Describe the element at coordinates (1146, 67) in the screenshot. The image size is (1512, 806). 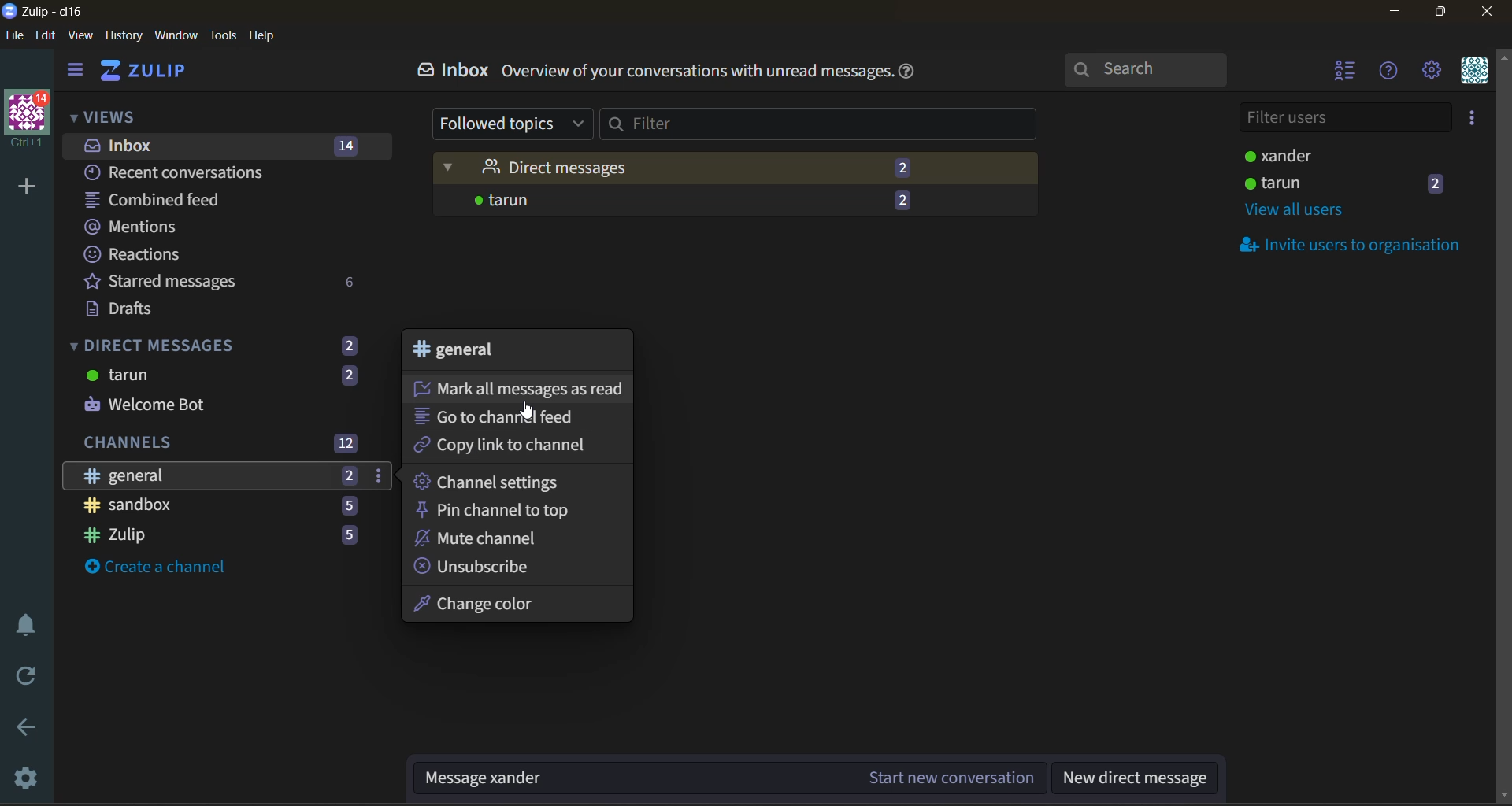
I see `search` at that location.